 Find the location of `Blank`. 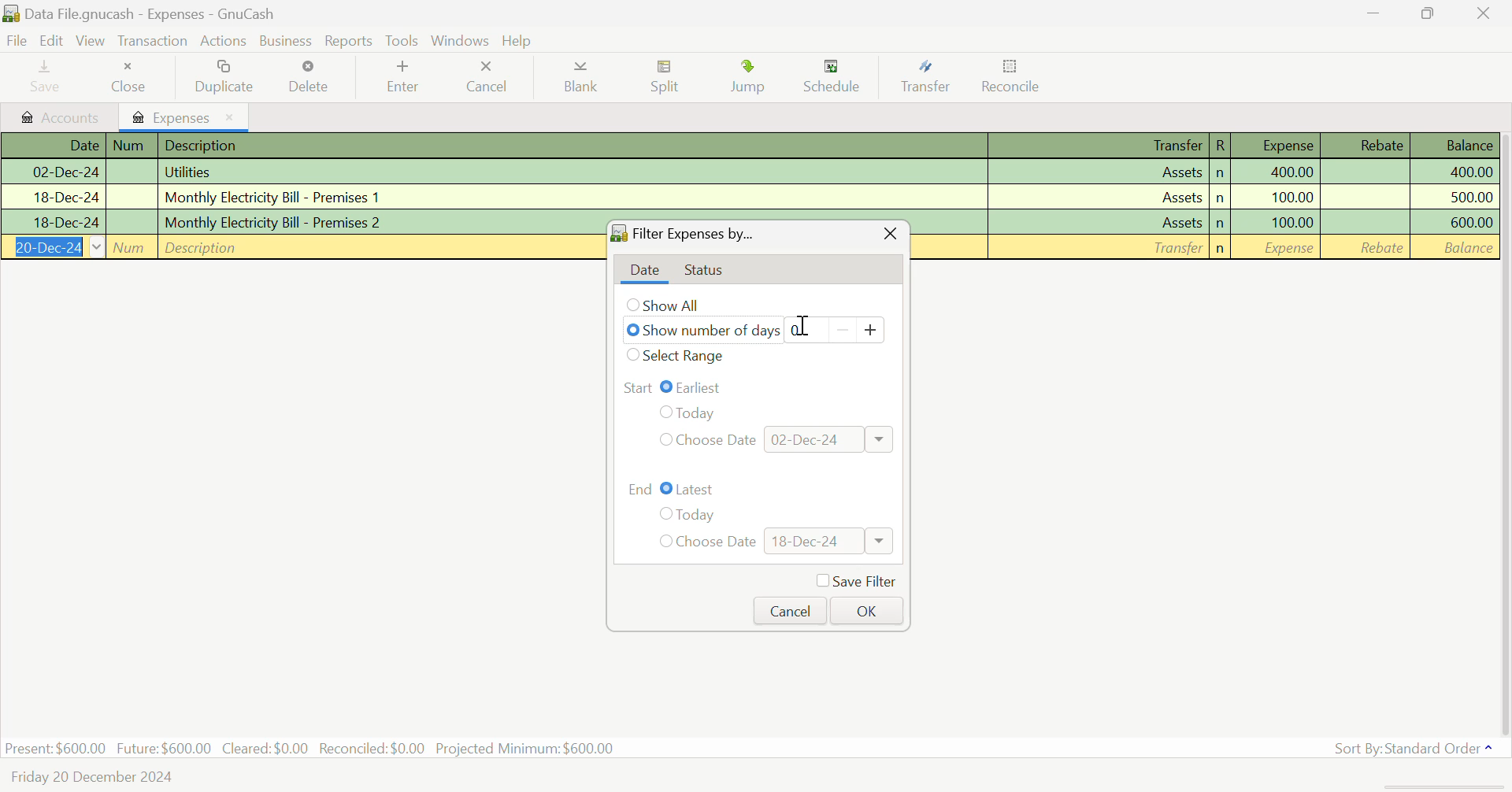

Blank is located at coordinates (581, 79).